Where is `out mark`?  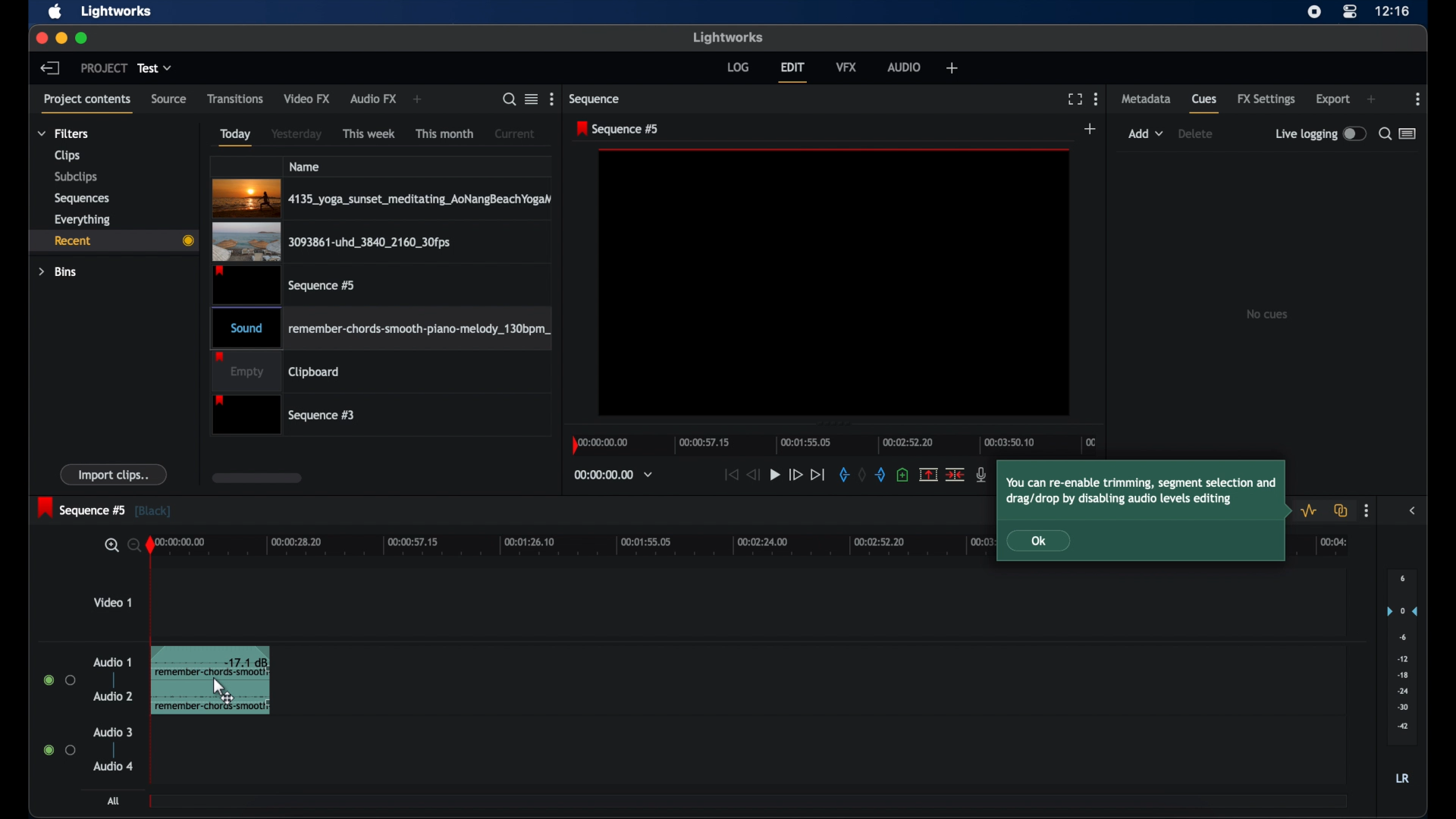
out mark is located at coordinates (881, 475).